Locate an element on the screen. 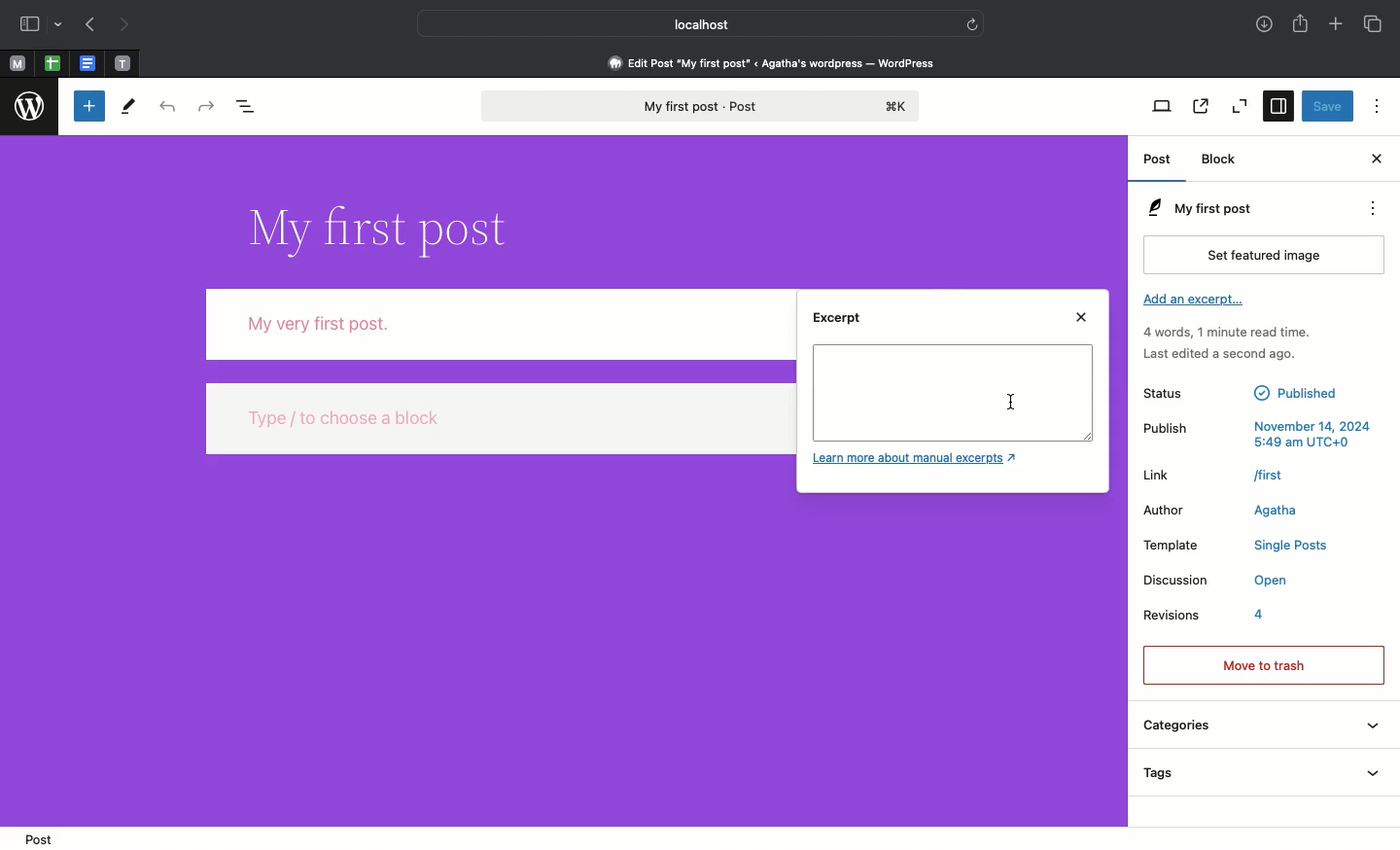  cursor is located at coordinates (1014, 402).